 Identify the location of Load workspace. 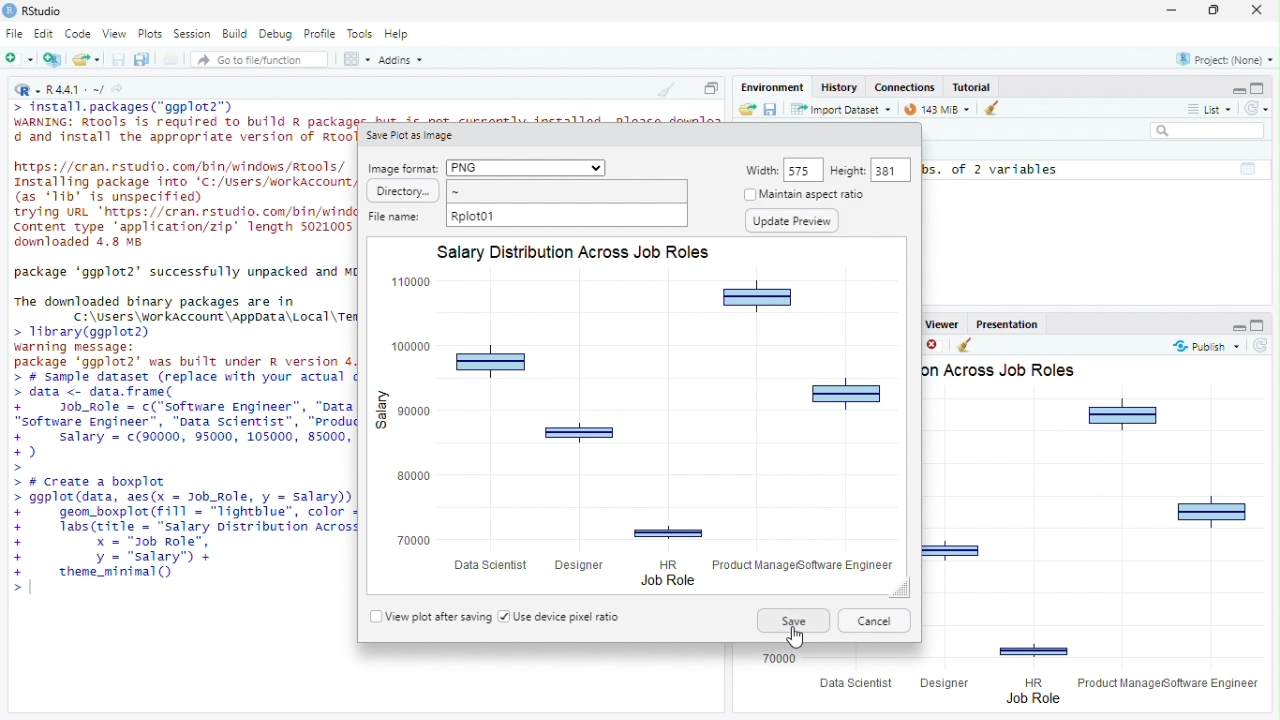
(745, 108).